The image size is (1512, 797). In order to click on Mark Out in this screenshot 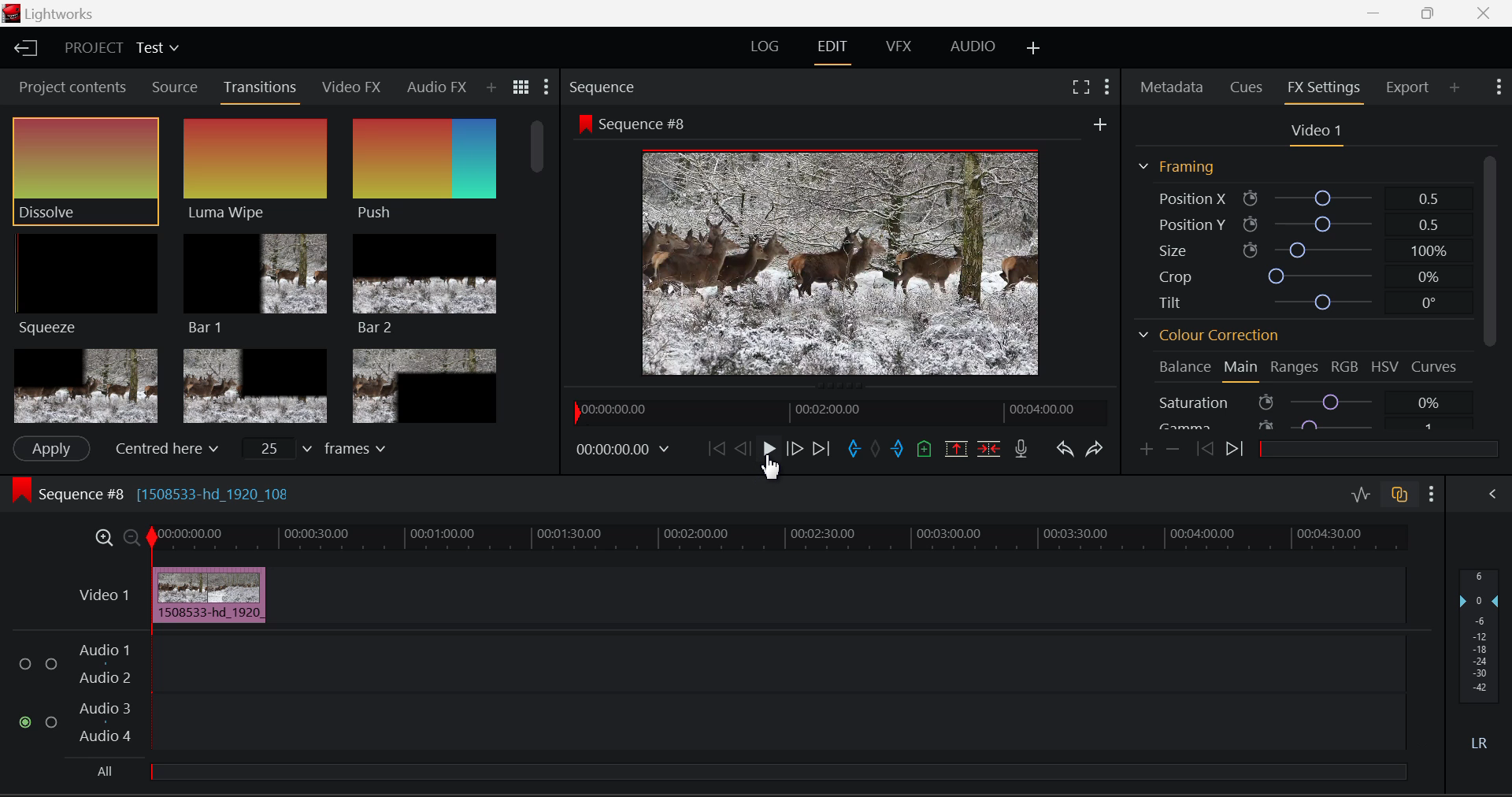, I will do `click(898, 451)`.